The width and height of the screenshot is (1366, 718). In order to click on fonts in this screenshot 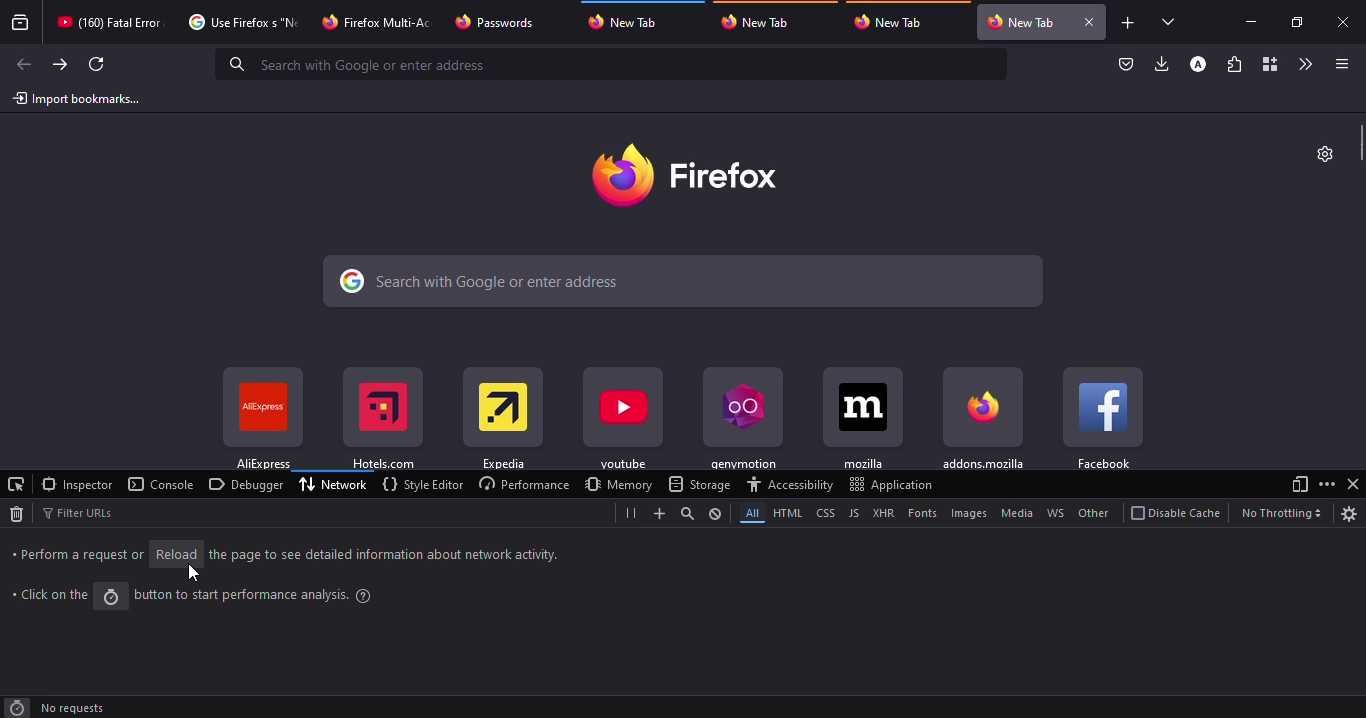, I will do `click(921, 513)`.